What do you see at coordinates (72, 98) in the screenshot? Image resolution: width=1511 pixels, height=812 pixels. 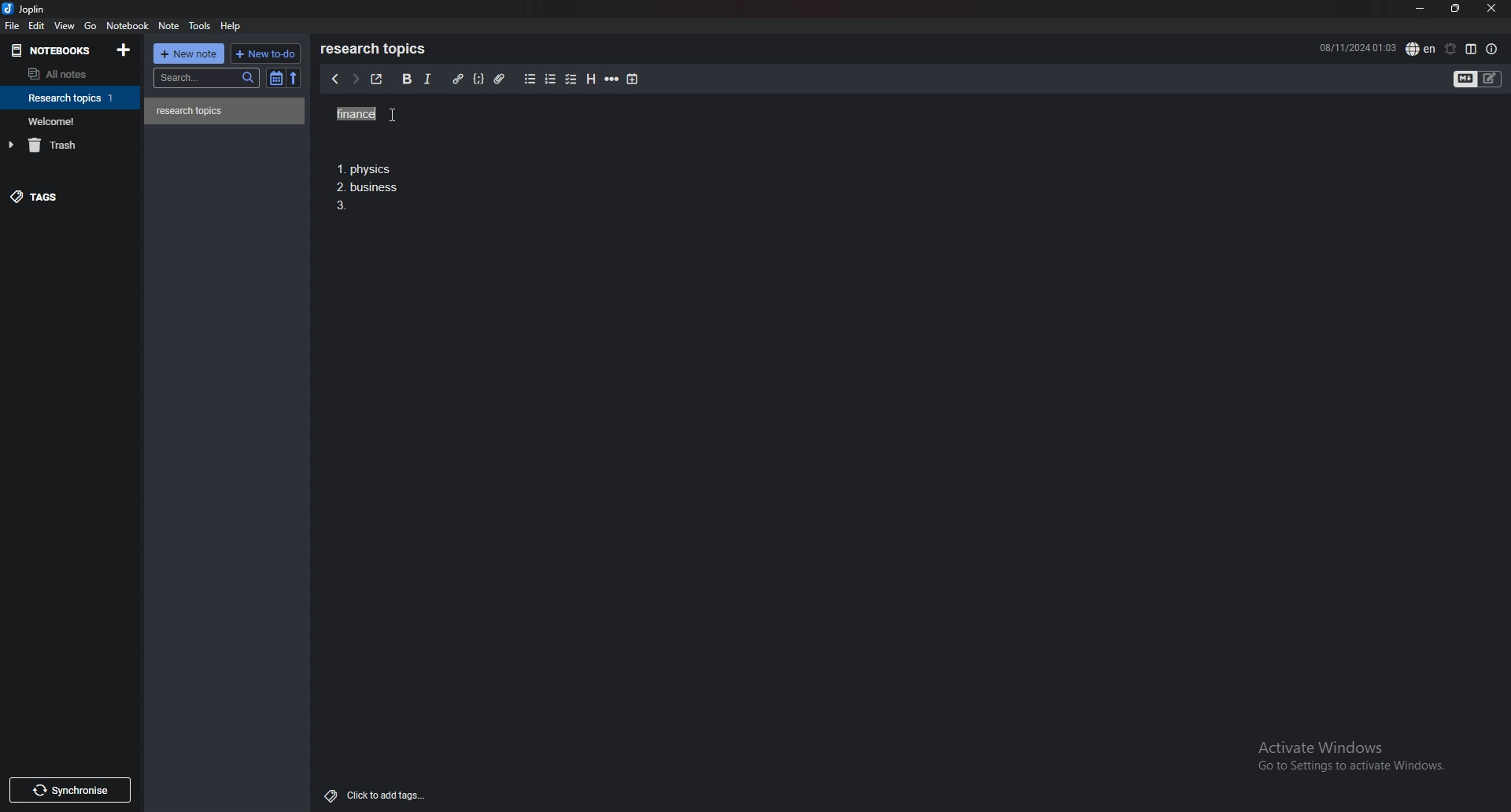 I see `notebook` at bounding box center [72, 98].